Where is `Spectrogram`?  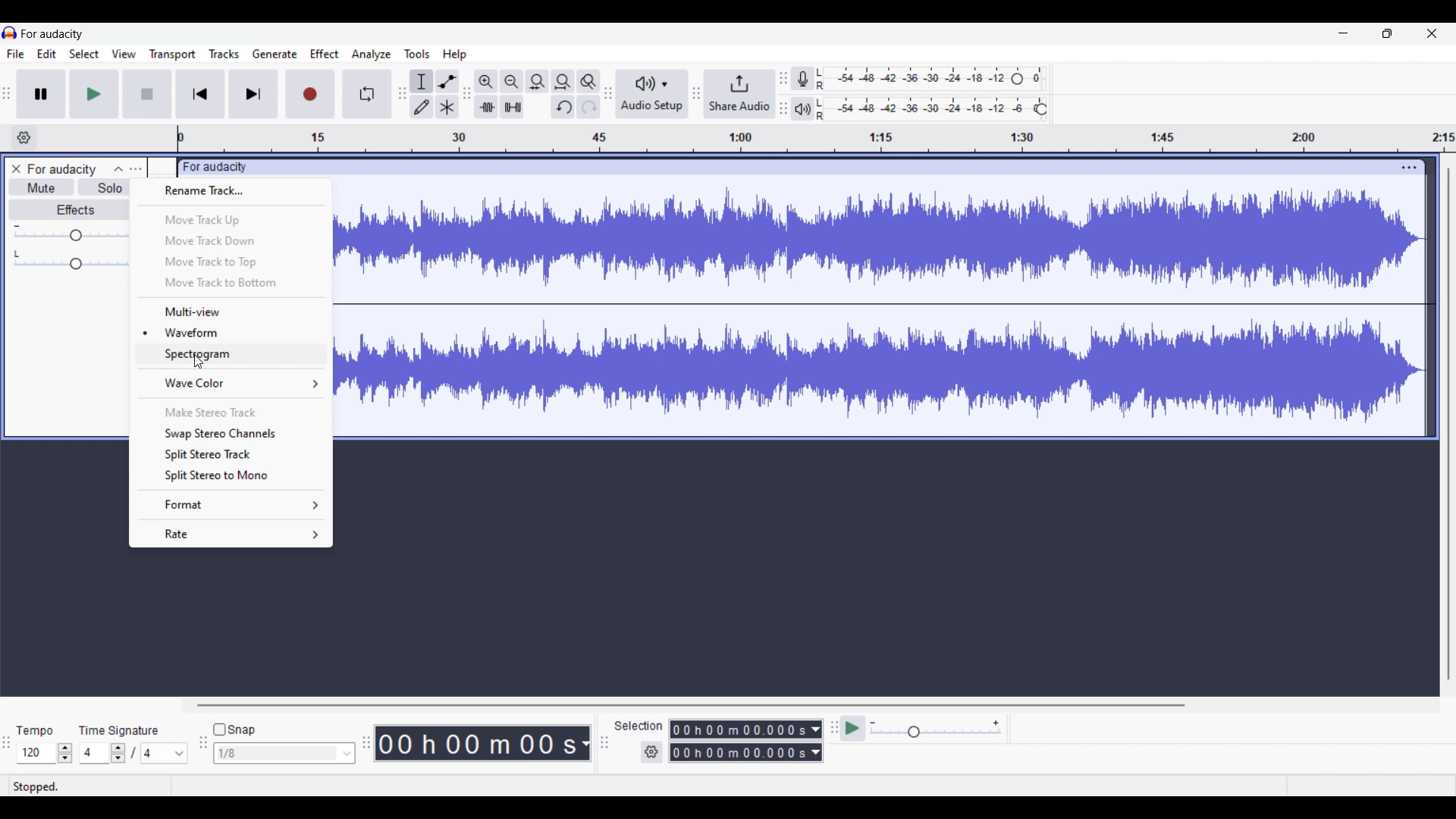 Spectrogram is located at coordinates (229, 354).